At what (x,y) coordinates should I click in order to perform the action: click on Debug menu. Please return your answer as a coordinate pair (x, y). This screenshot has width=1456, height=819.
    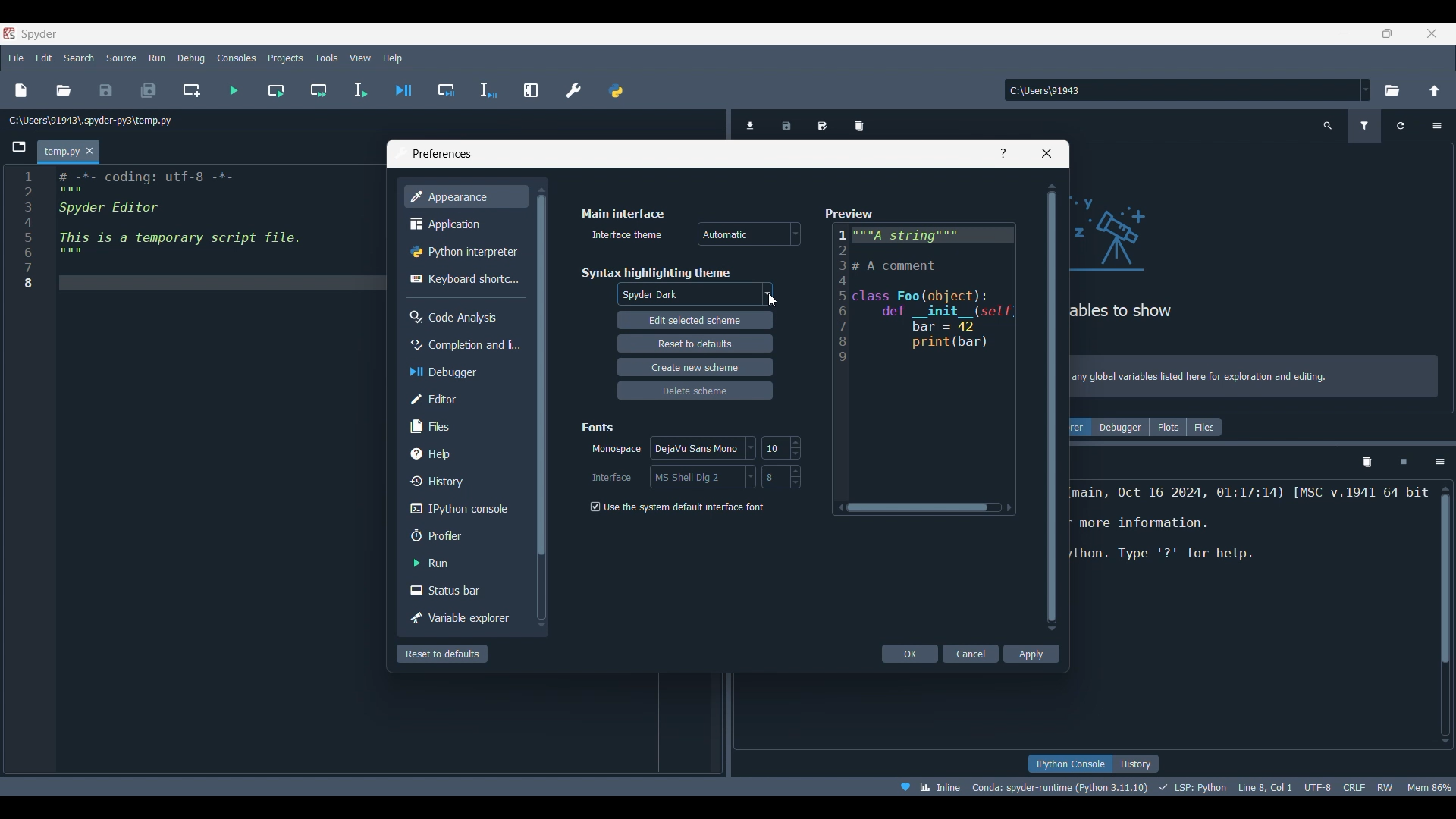
    Looking at the image, I should click on (191, 58).